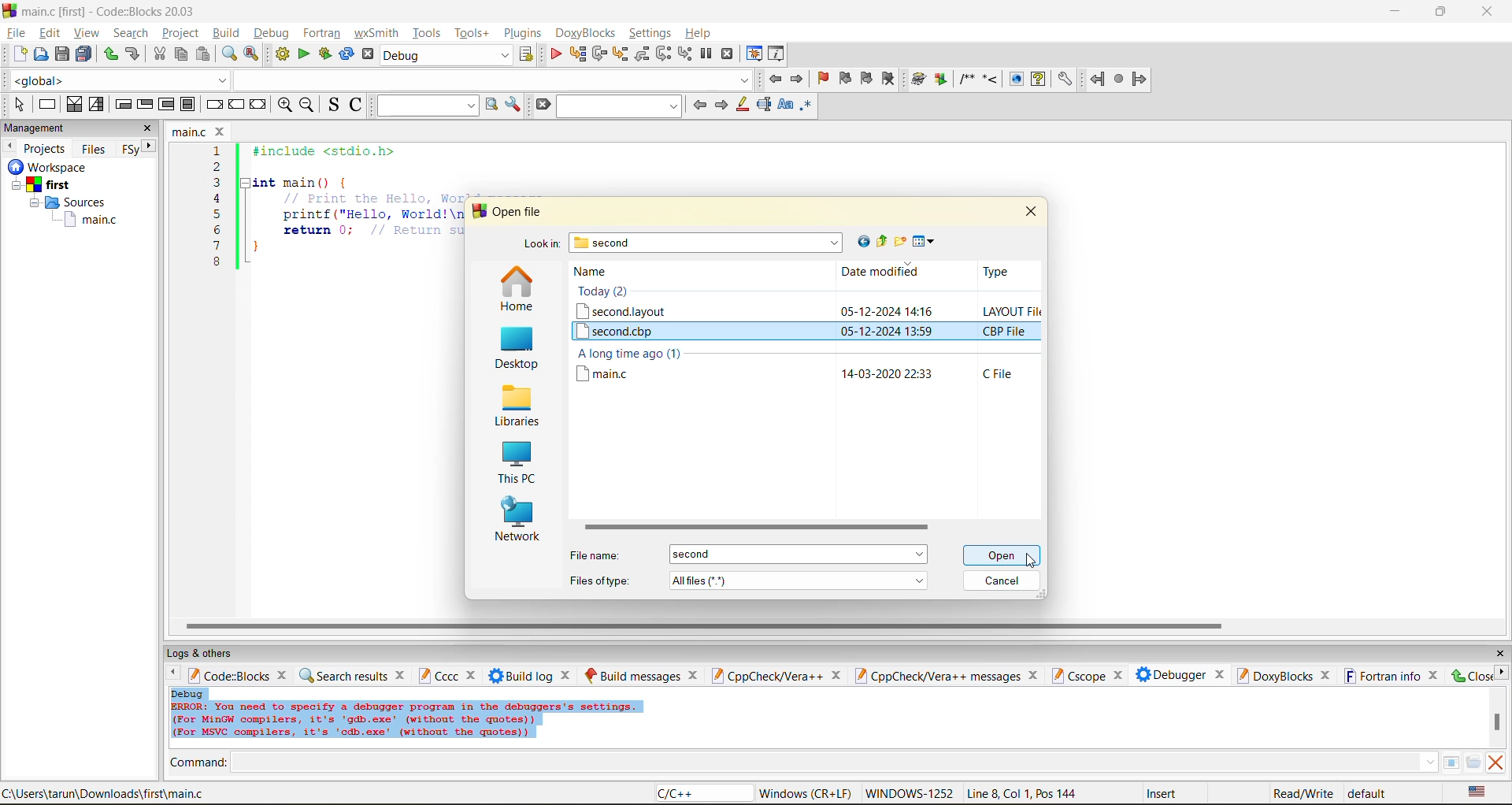  What do you see at coordinates (1220, 673) in the screenshot?
I see `close` at bounding box center [1220, 673].